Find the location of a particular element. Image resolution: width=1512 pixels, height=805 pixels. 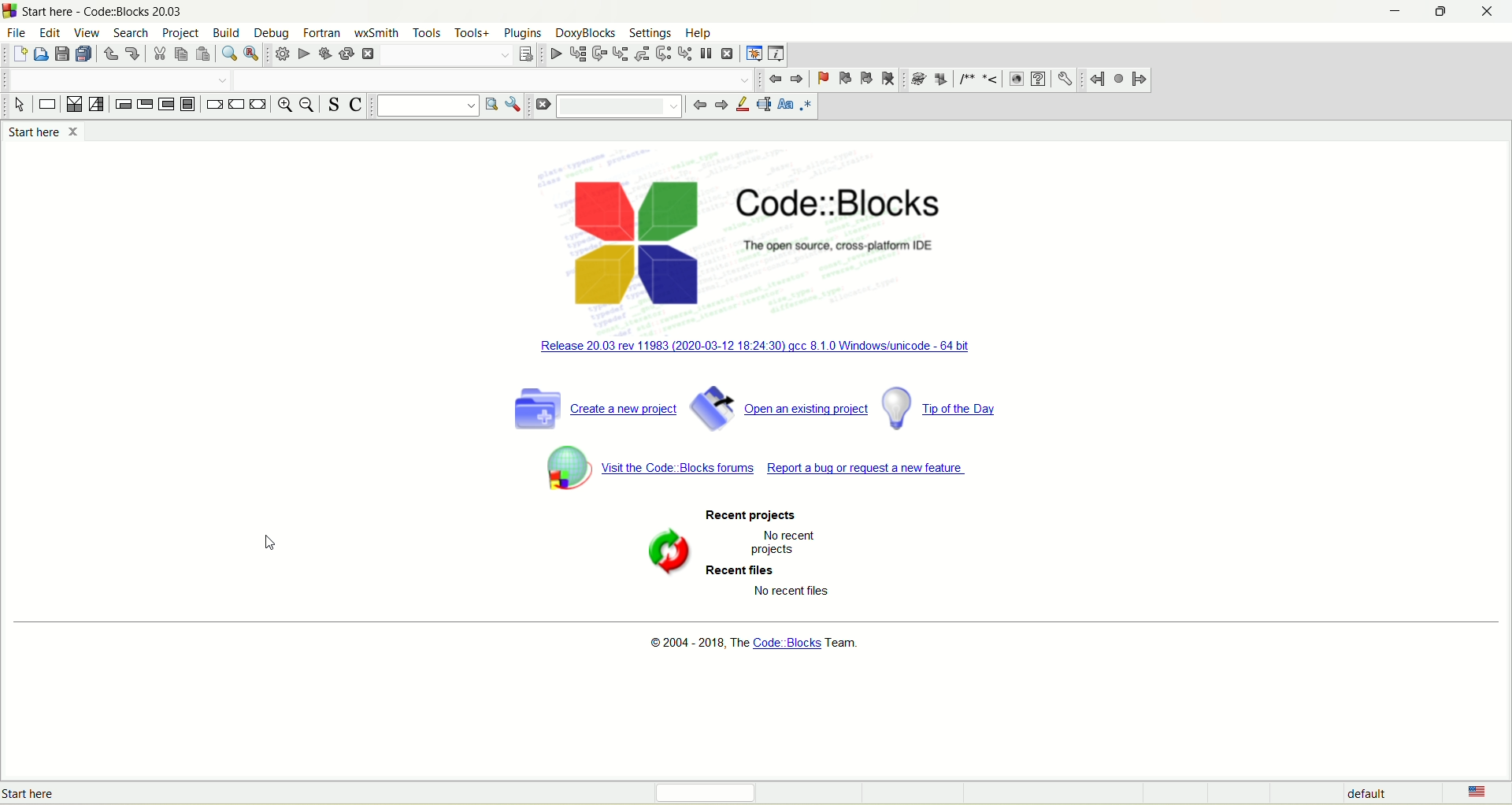

save is located at coordinates (63, 54).